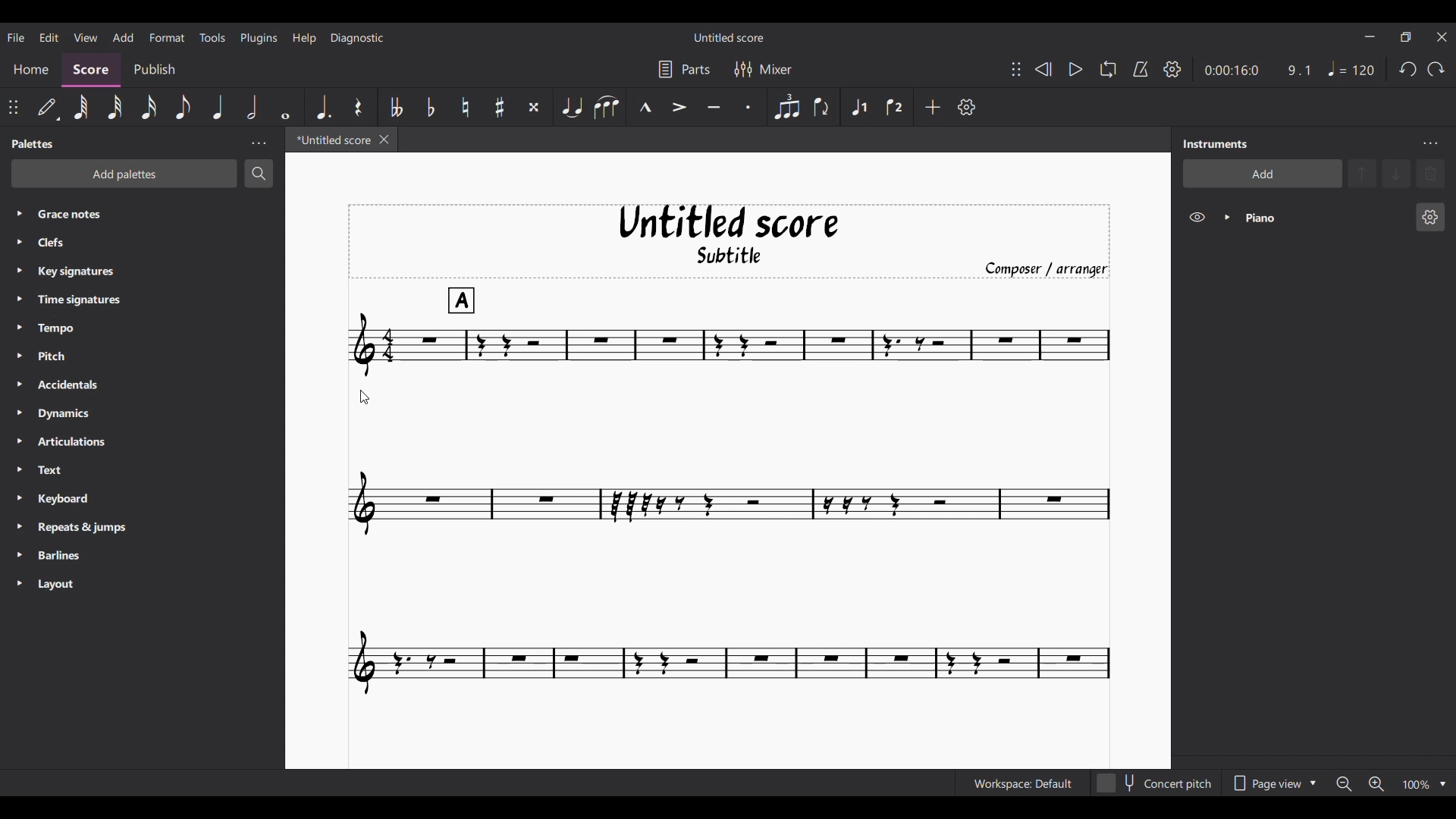  What do you see at coordinates (251, 107) in the screenshot?
I see `Half note` at bounding box center [251, 107].